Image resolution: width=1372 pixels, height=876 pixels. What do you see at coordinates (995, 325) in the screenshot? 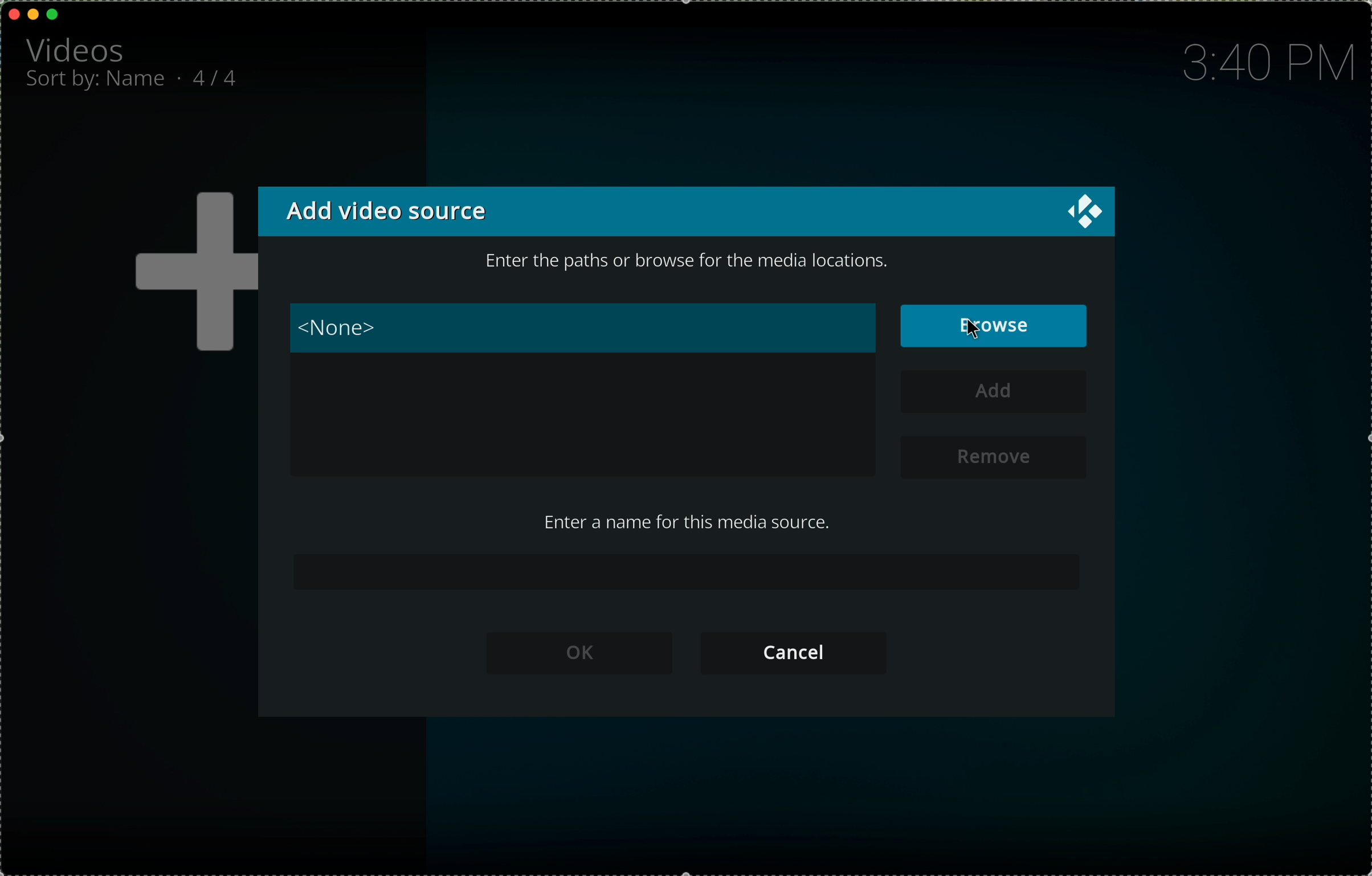
I see `click on browse button` at bounding box center [995, 325].